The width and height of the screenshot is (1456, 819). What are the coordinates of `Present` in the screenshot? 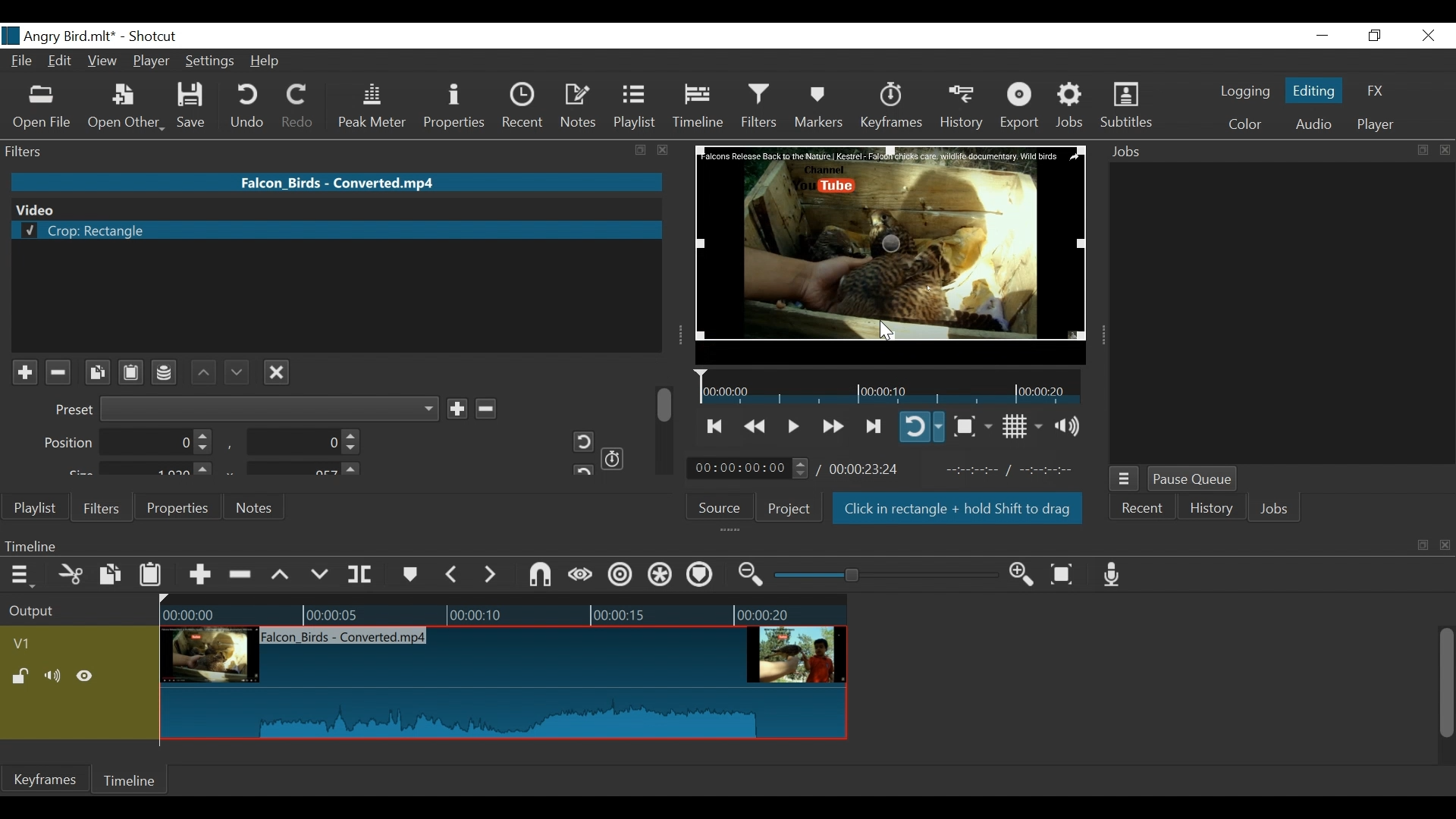 It's located at (244, 409).